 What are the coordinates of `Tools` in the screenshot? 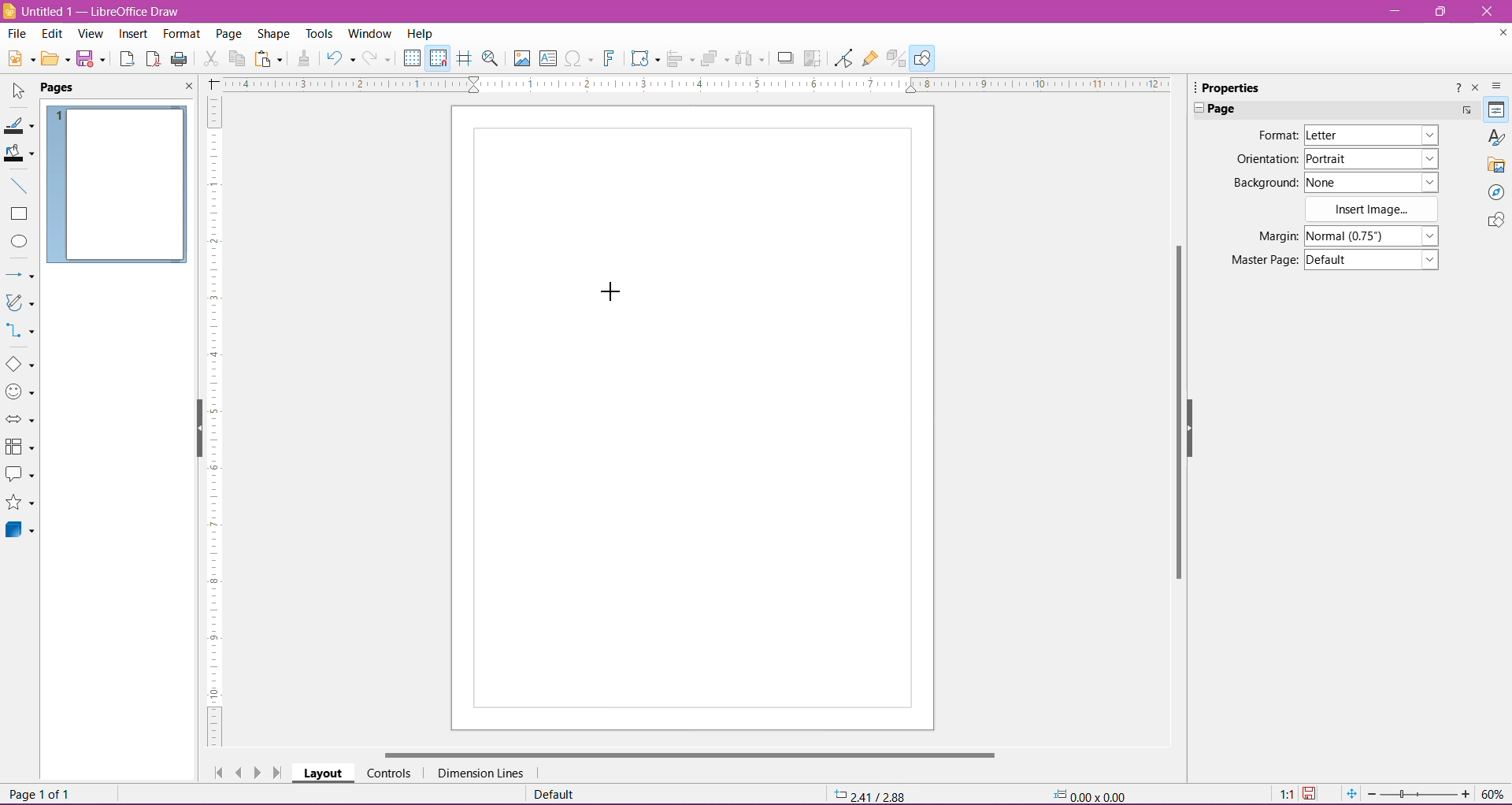 It's located at (321, 34).